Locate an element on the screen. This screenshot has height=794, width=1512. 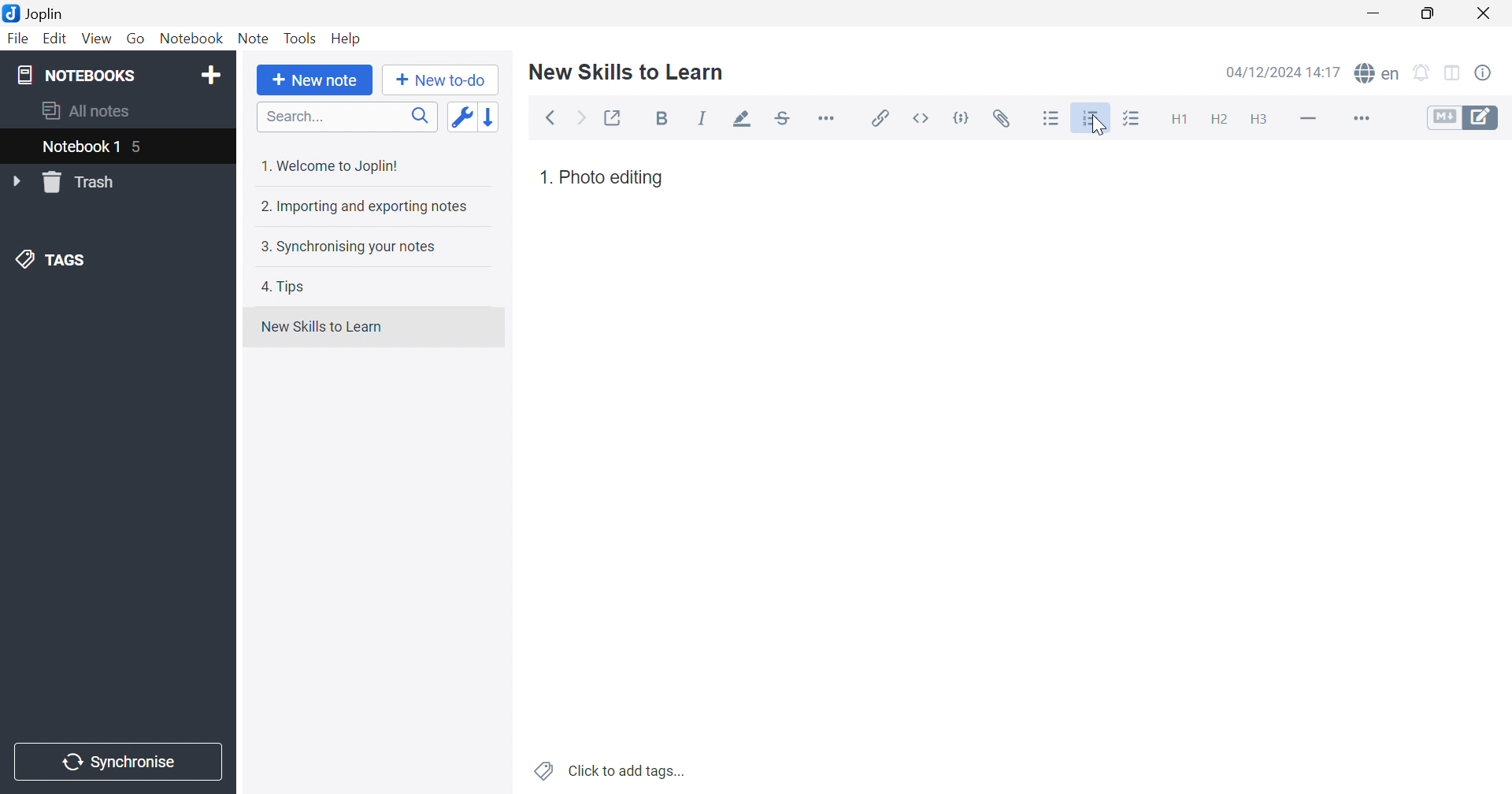
3. Synchronising your notes is located at coordinates (344, 246).